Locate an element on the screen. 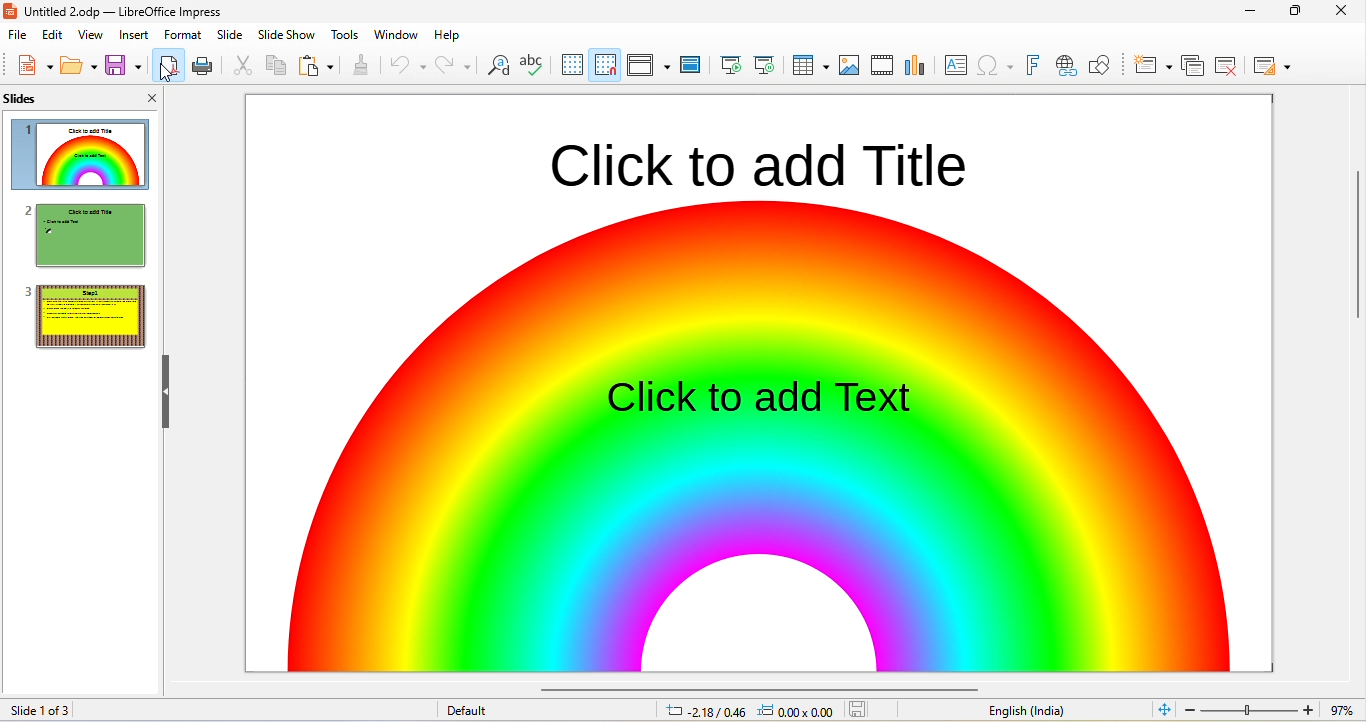 The image size is (1366, 722). find and replace is located at coordinates (499, 65).